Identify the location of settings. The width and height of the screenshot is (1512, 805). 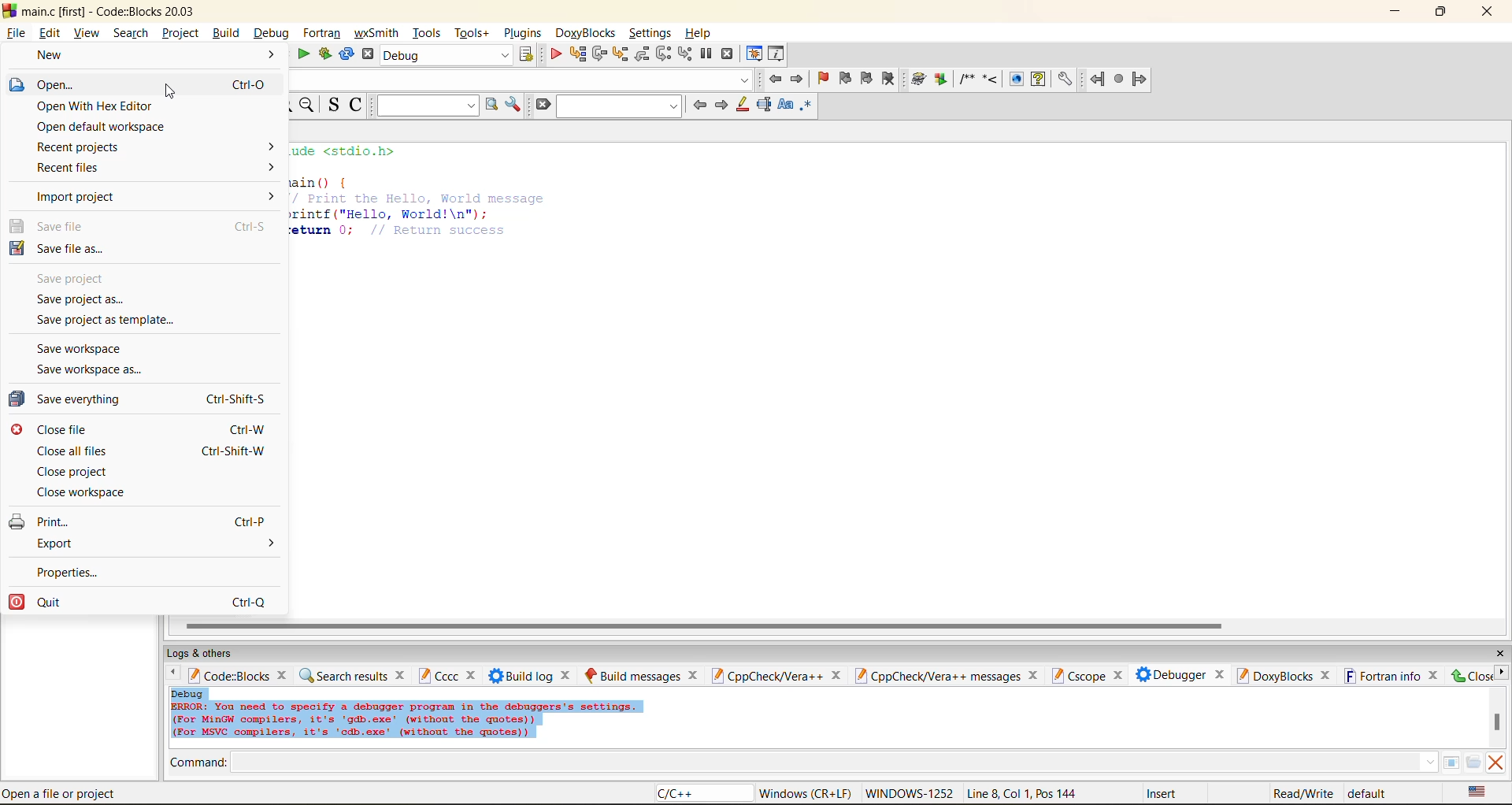
(1064, 80).